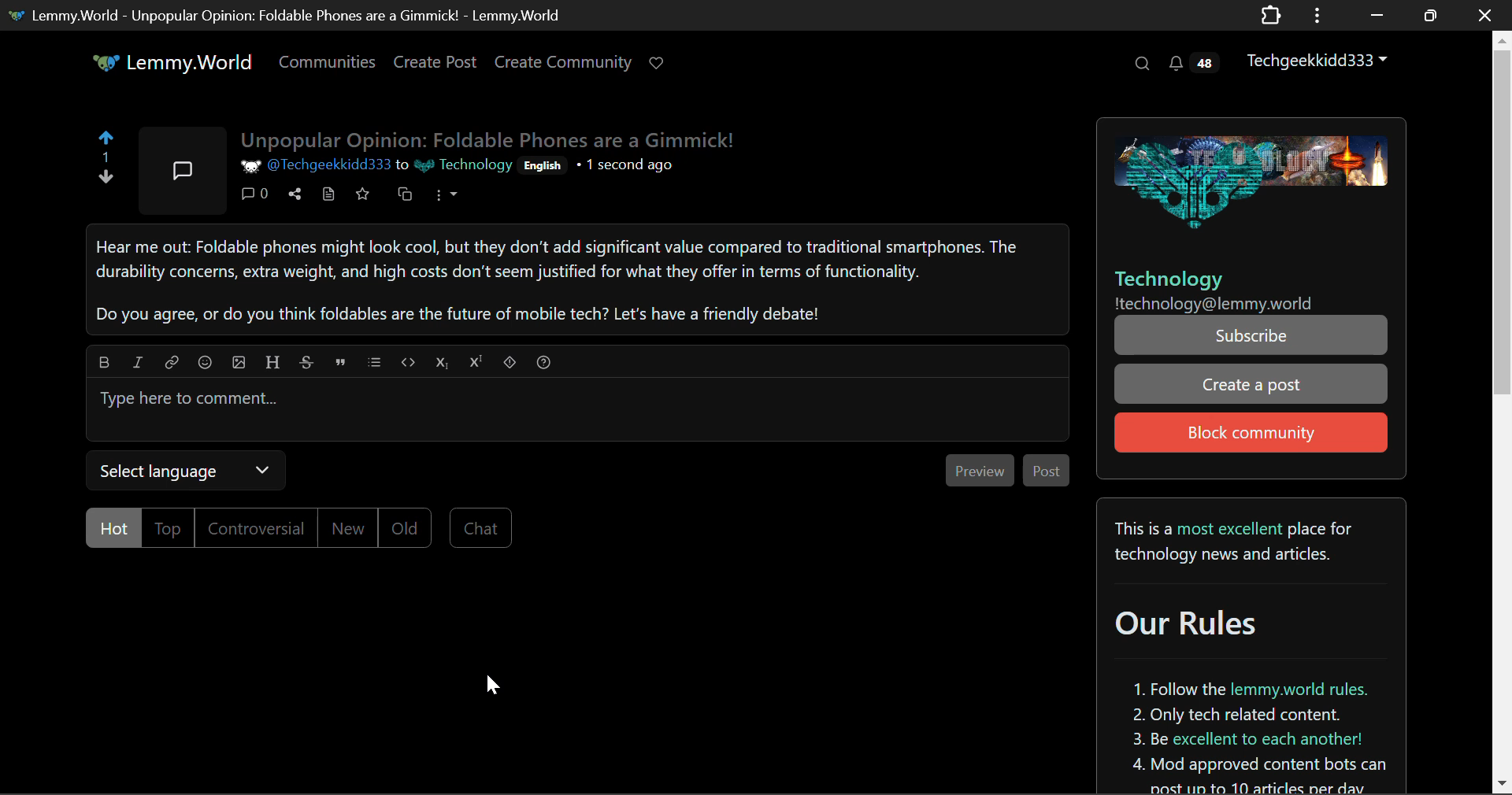  Describe the element at coordinates (169, 528) in the screenshot. I see `Top Comment Filter Unselected` at that location.